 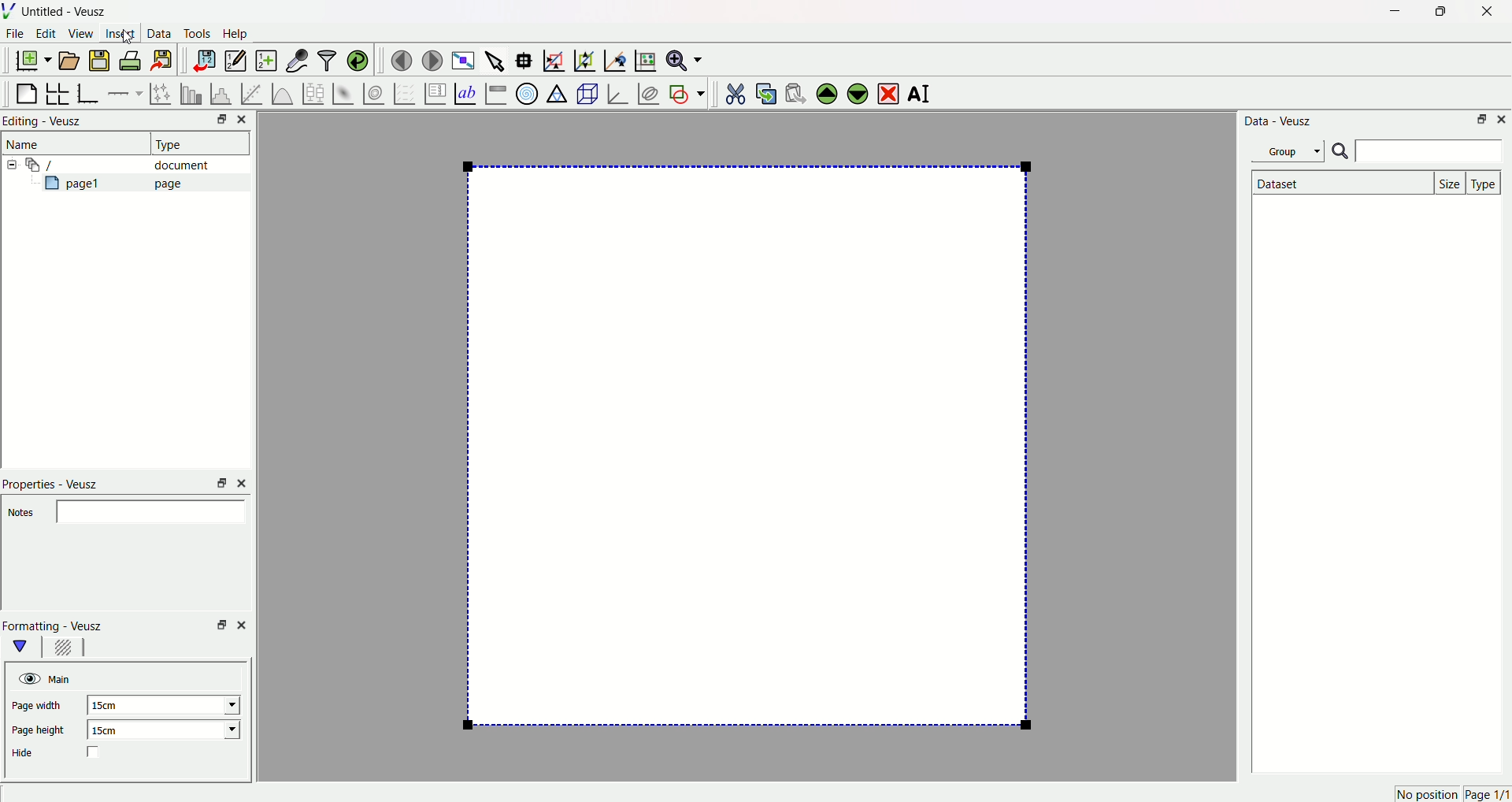 What do you see at coordinates (464, 92) in the screenshot?
I see `text label` at bounding box center [464, 92].